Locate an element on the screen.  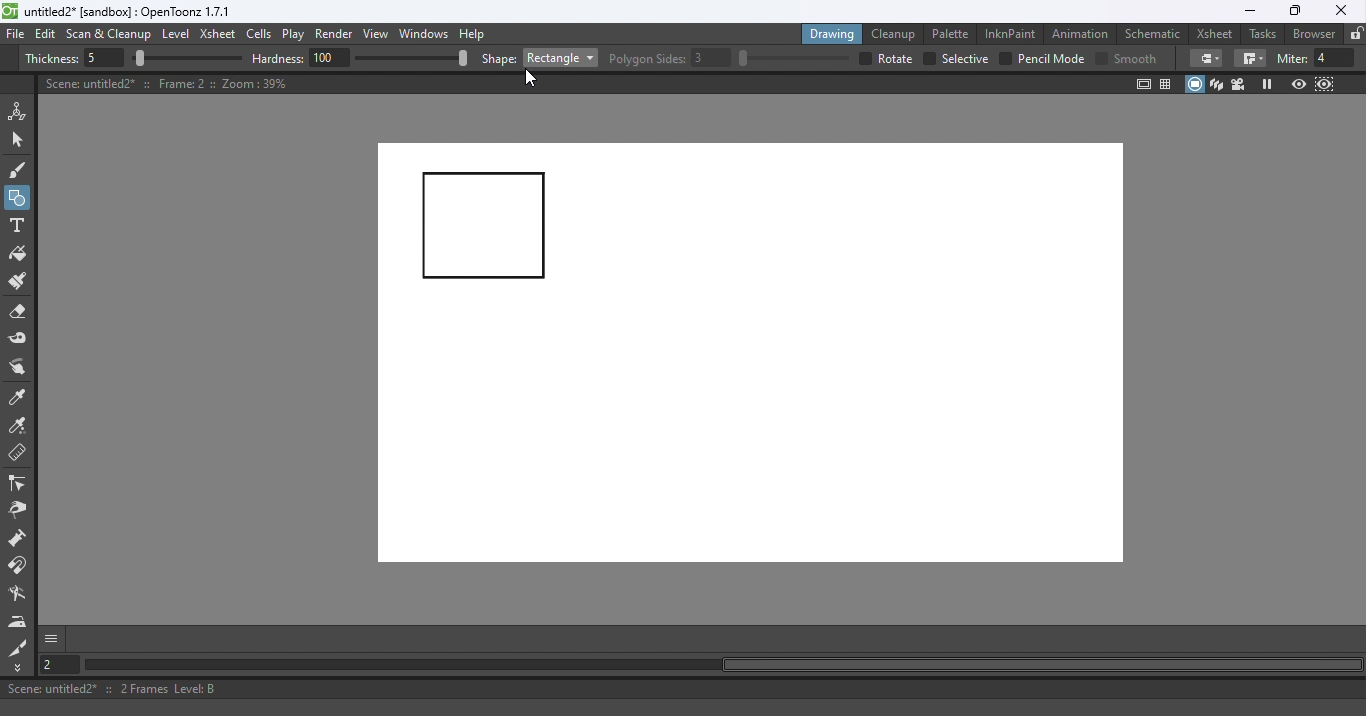
Animate tool is located at coordinates (21, 111).